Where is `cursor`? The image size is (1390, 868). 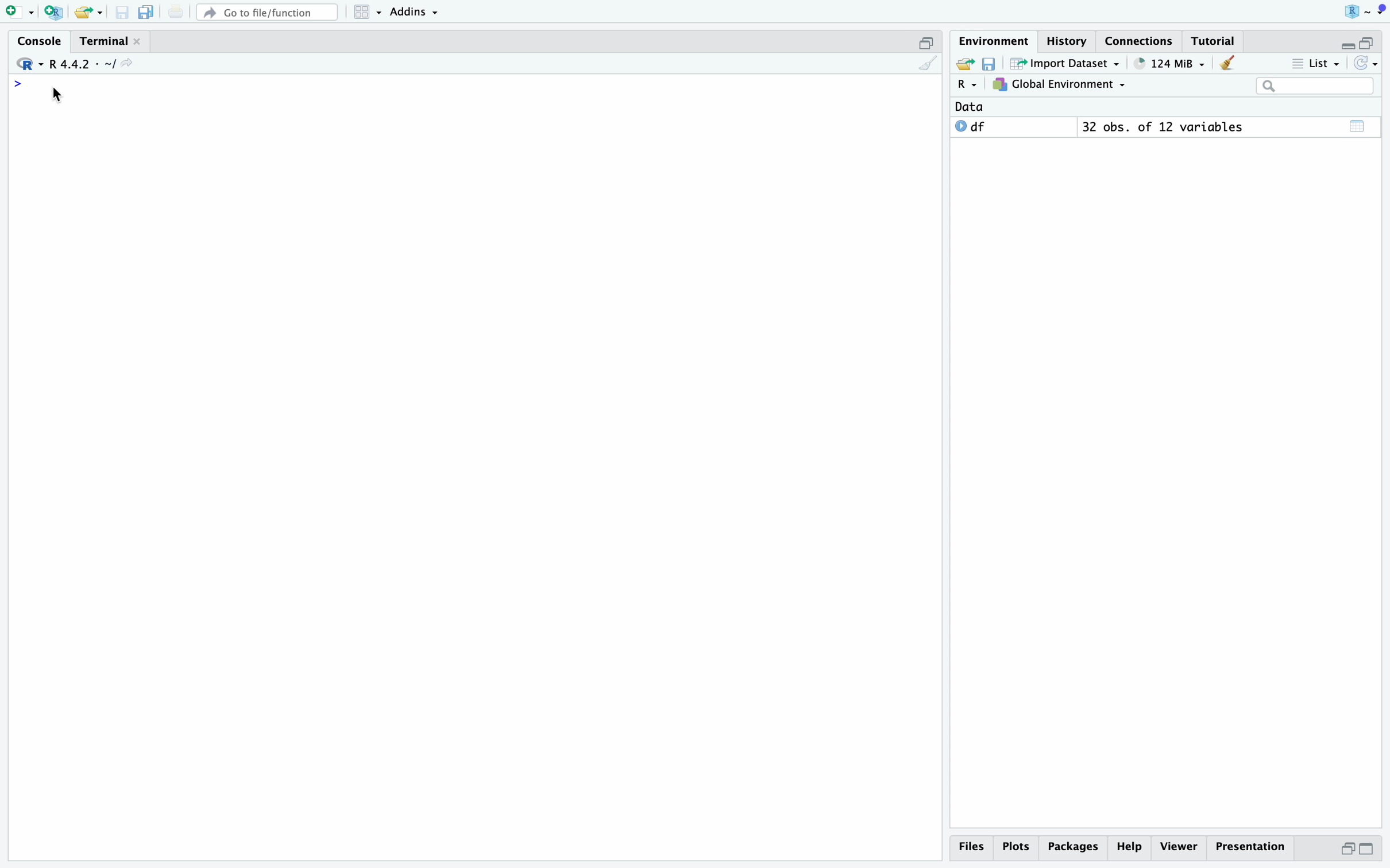
cursor is located at coordinates (57, 95).